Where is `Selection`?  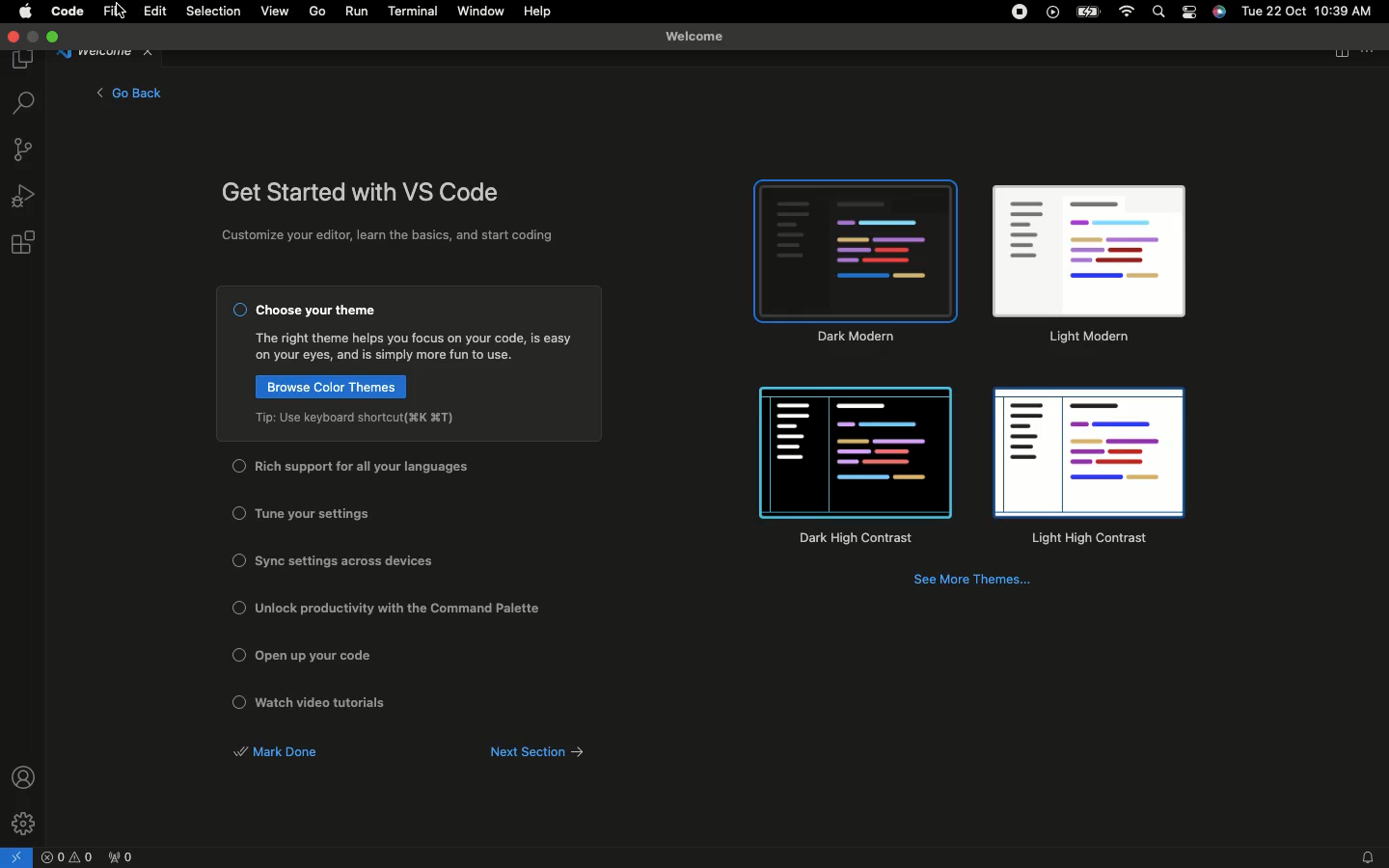
Selection is located at coordinates (216, 12).